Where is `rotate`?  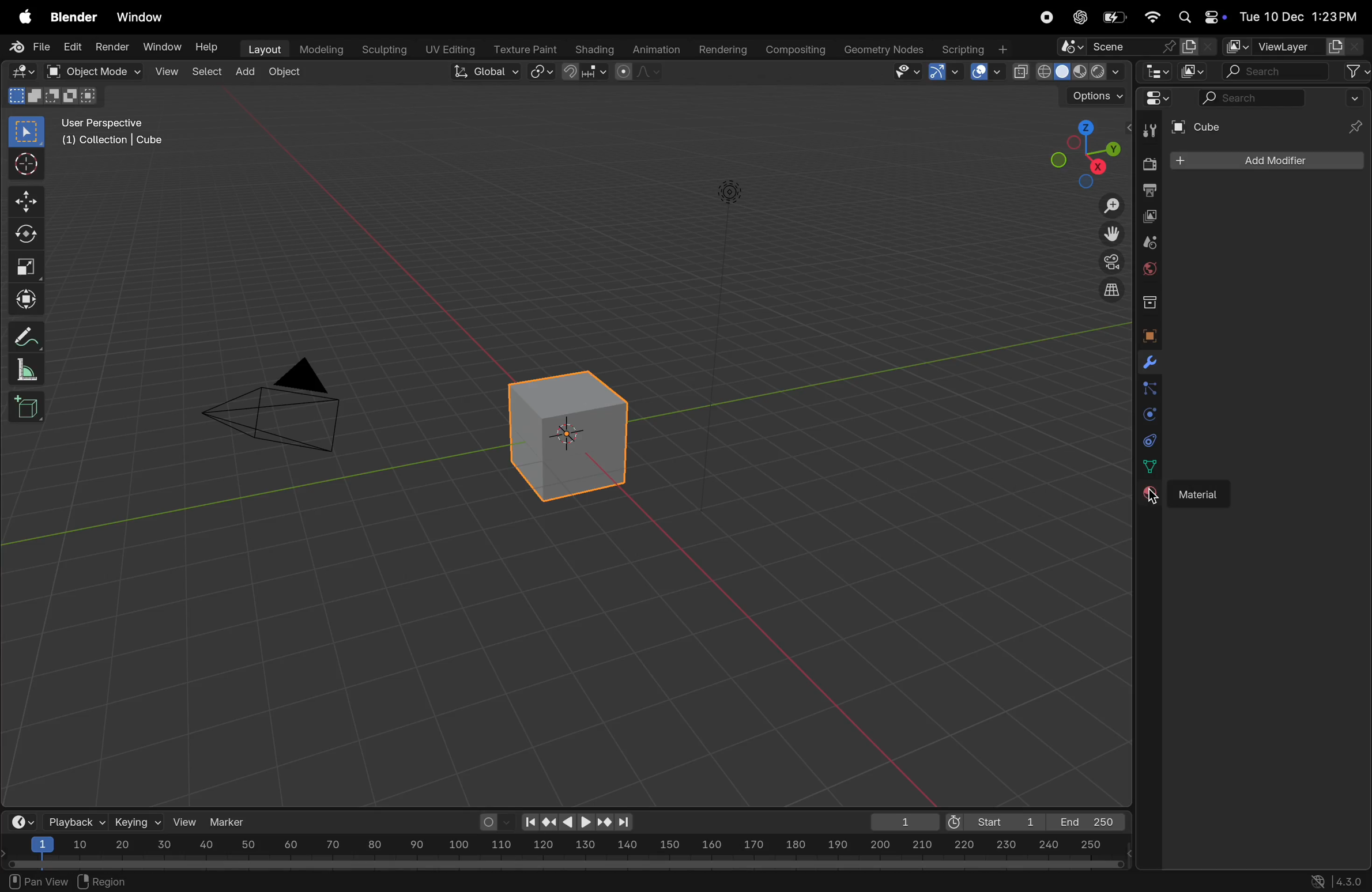
rotate is located at coordinates (24, 235).